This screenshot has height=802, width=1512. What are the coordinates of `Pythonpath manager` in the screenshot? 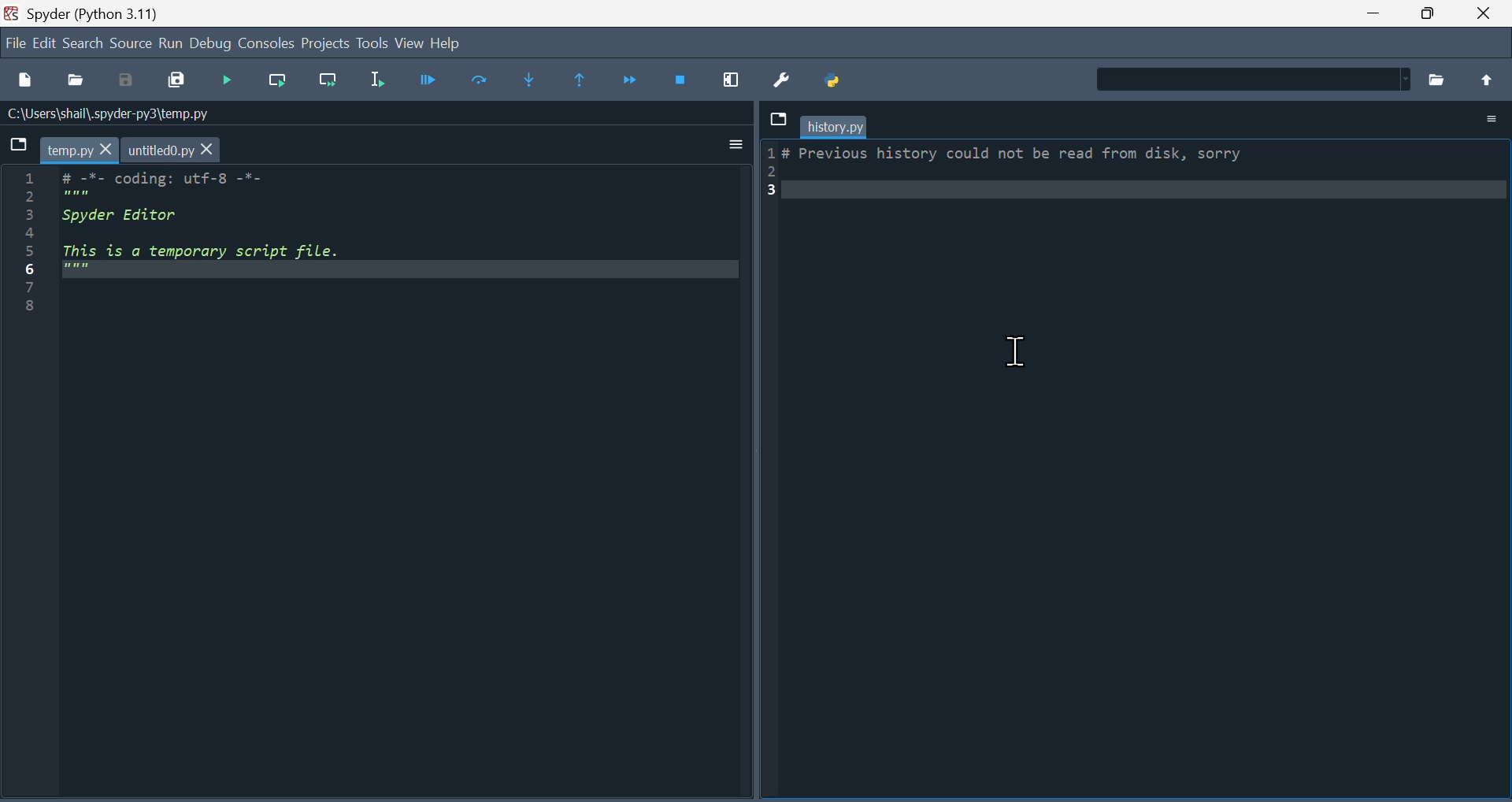 It's located at (845, 81).